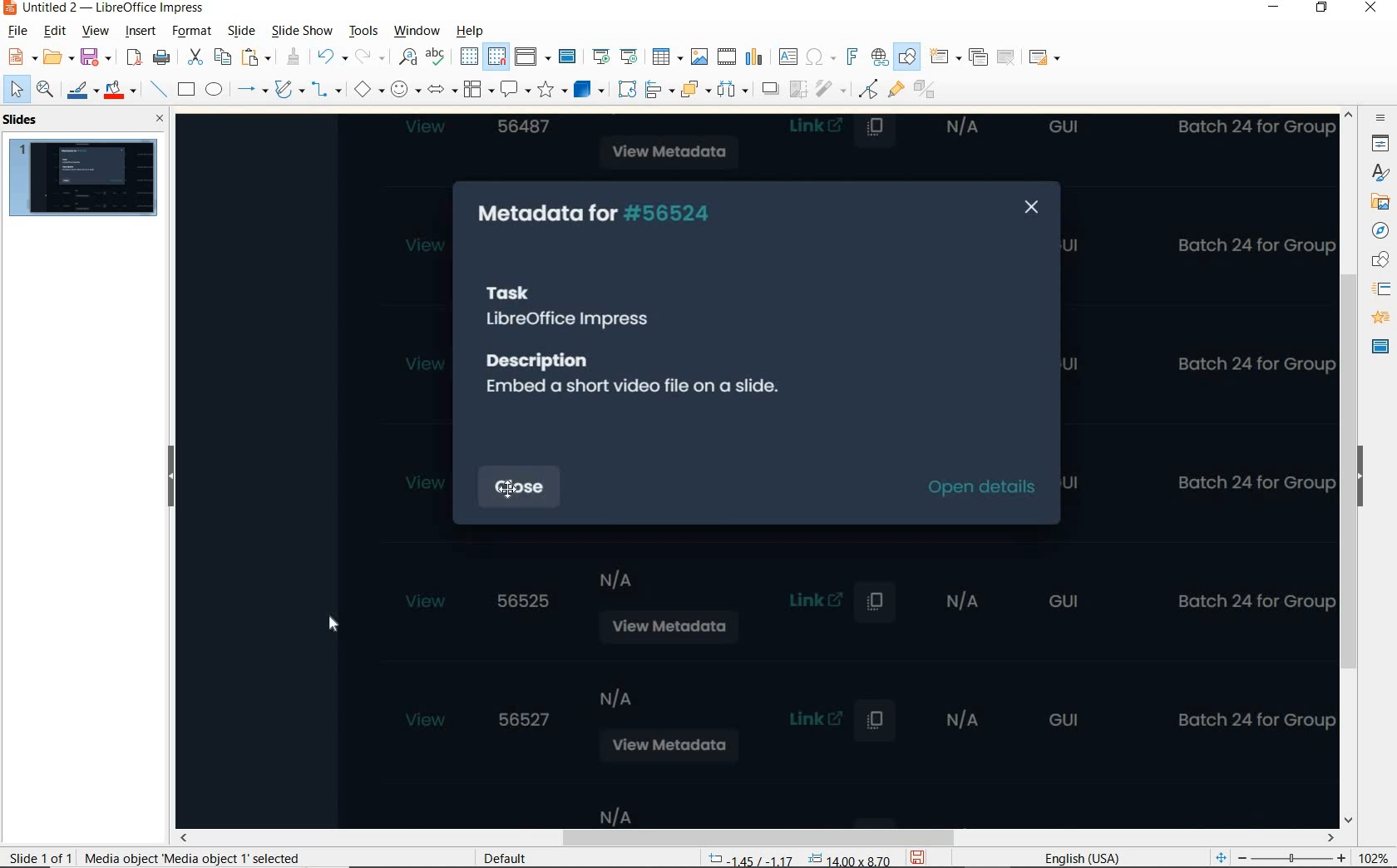 This screenshot has height=868, width=1397. What do you see at coordinates (516, 89) in the screenshot?
I see `CALLOUT SHAPES` at bounding box center [516, 89].